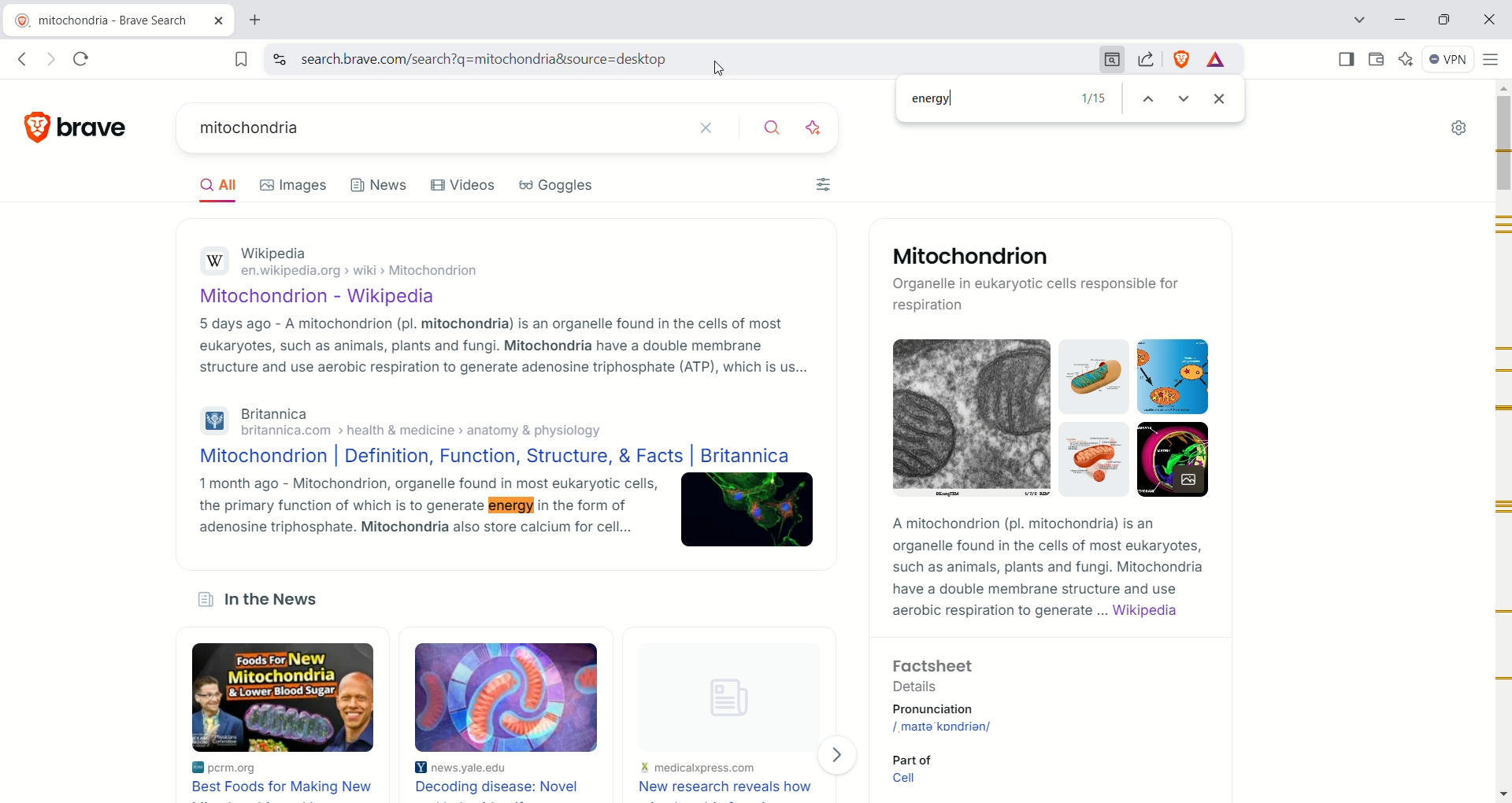  What do you see at coordinates (1180, 60) in the screenshot?
I see `brave shield` at bounding box center [1180, 60].